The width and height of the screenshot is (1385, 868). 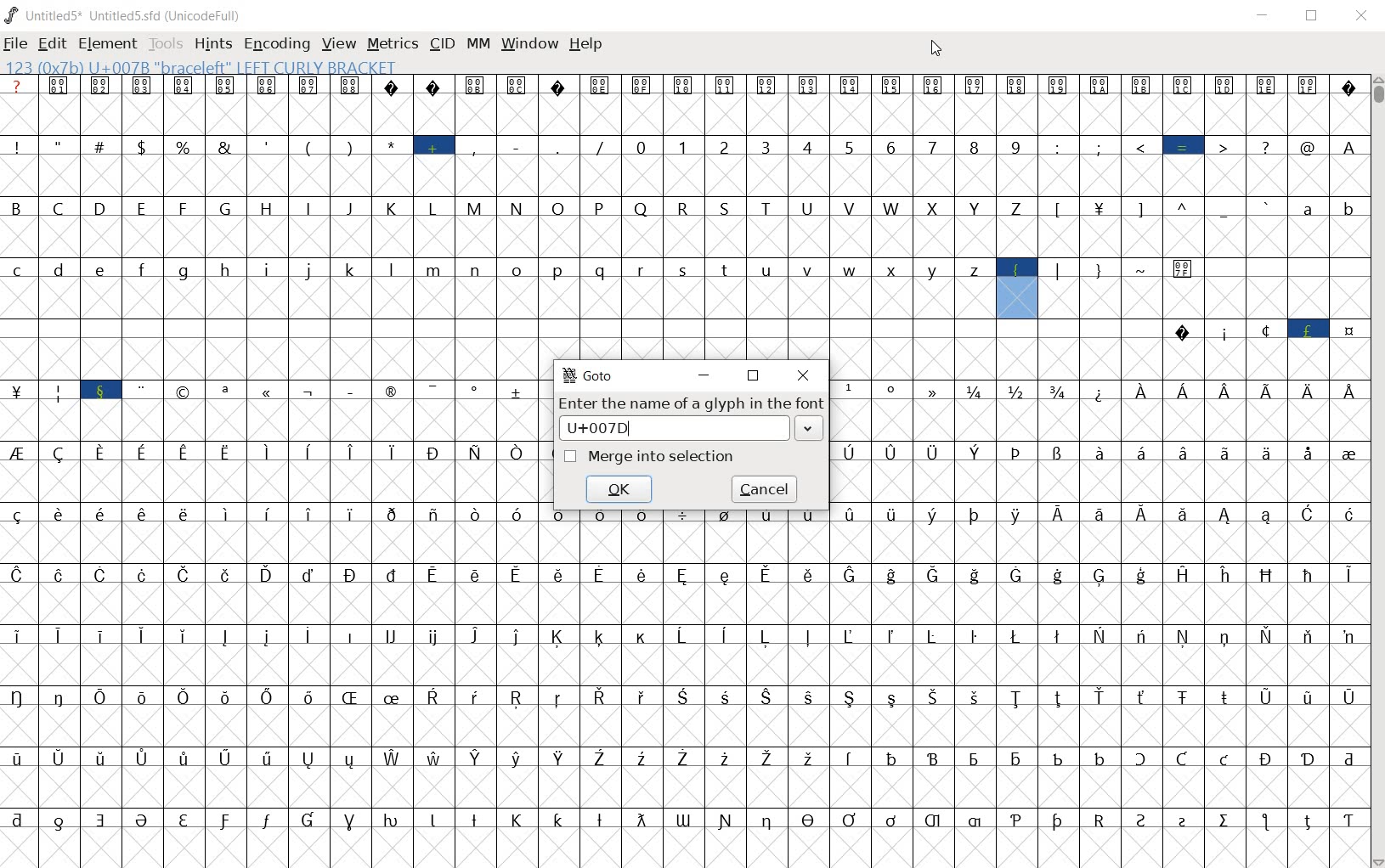 I want to click on CID, so click(x=442, y=44).